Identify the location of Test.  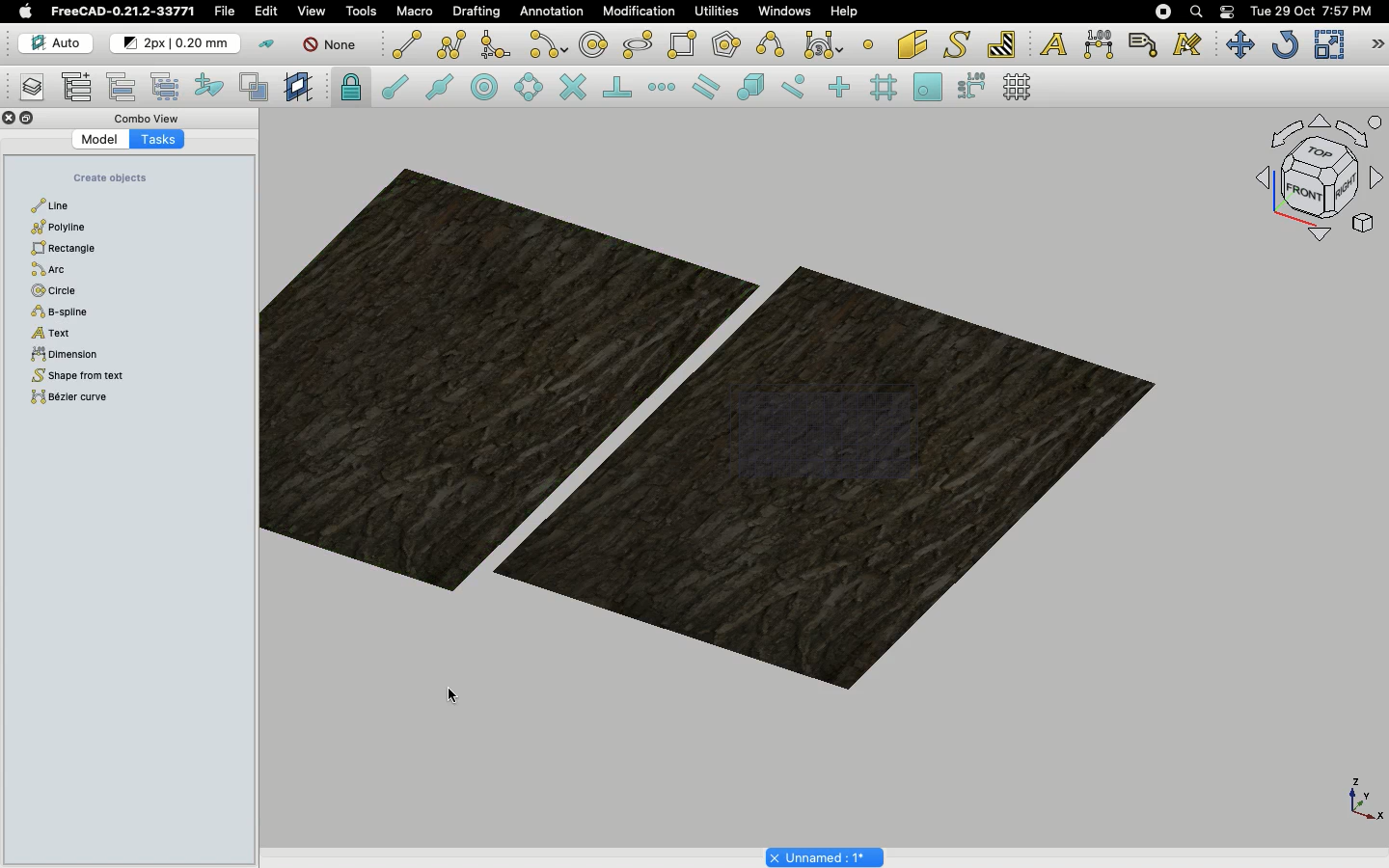
(74, 334).